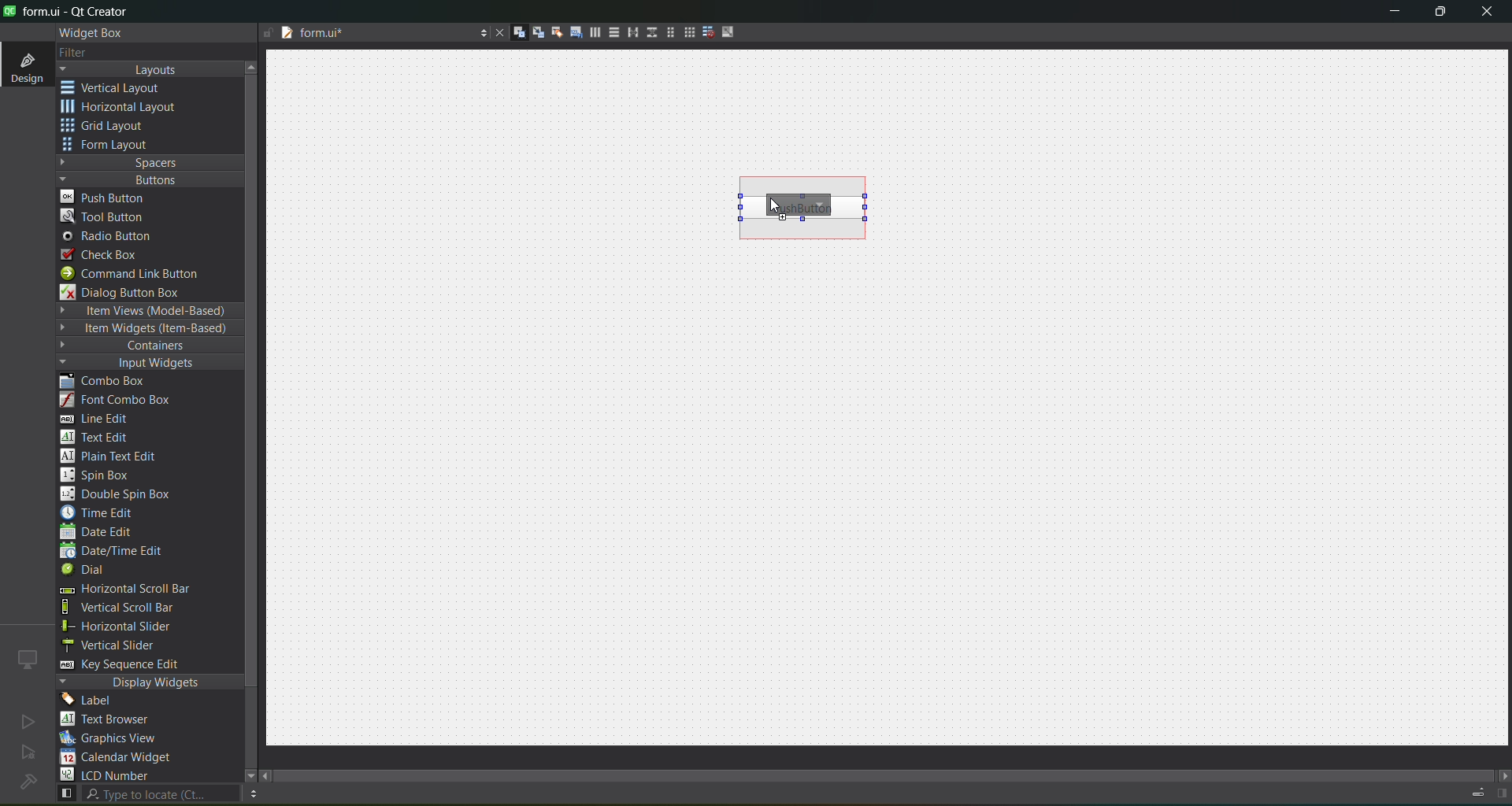 The image size is (1512, 806). I want to click on spaces, so click(150, 162).